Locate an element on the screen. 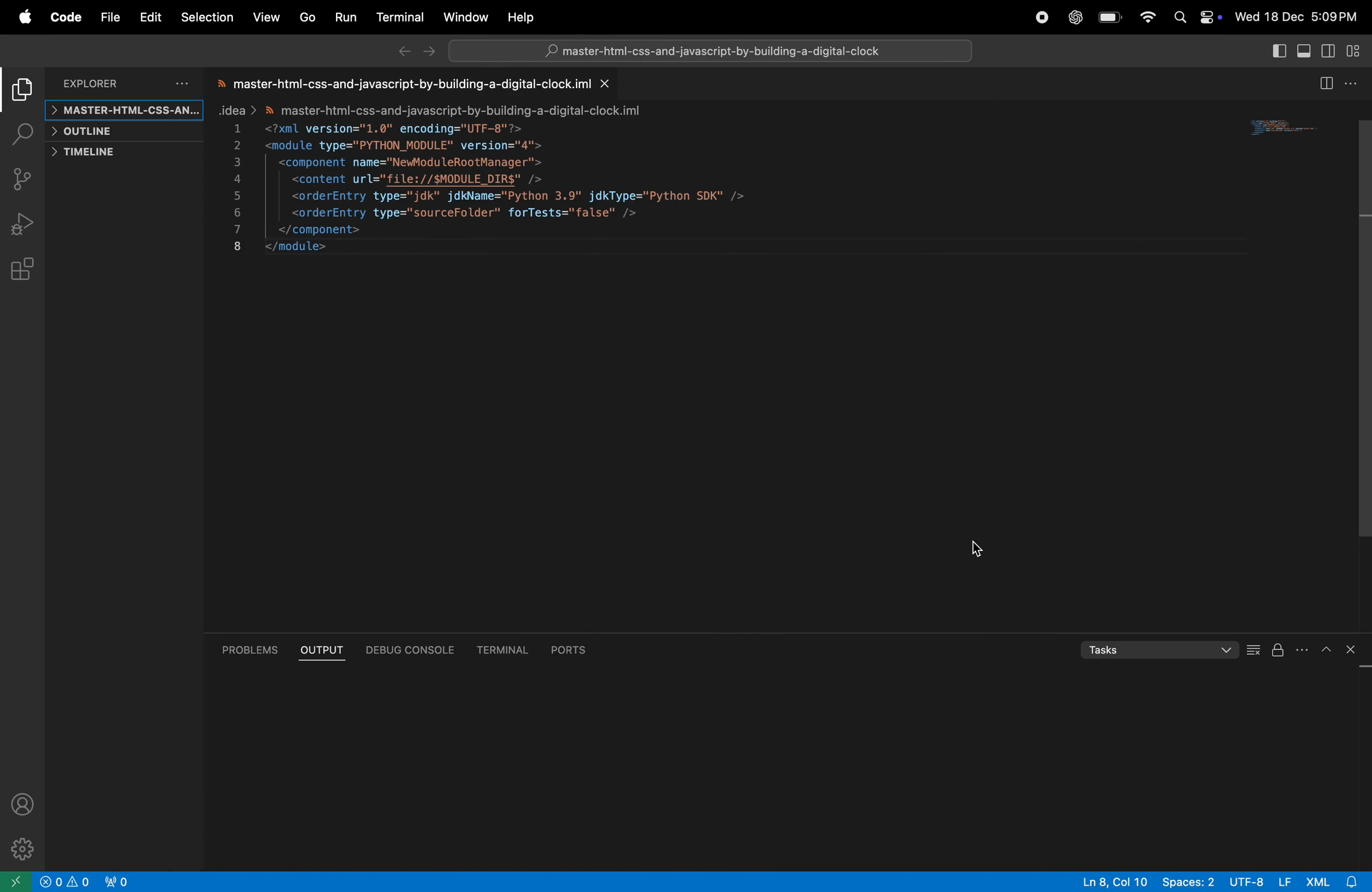 The image size is (1372, 892). record is located at coordinates (1039, 18).